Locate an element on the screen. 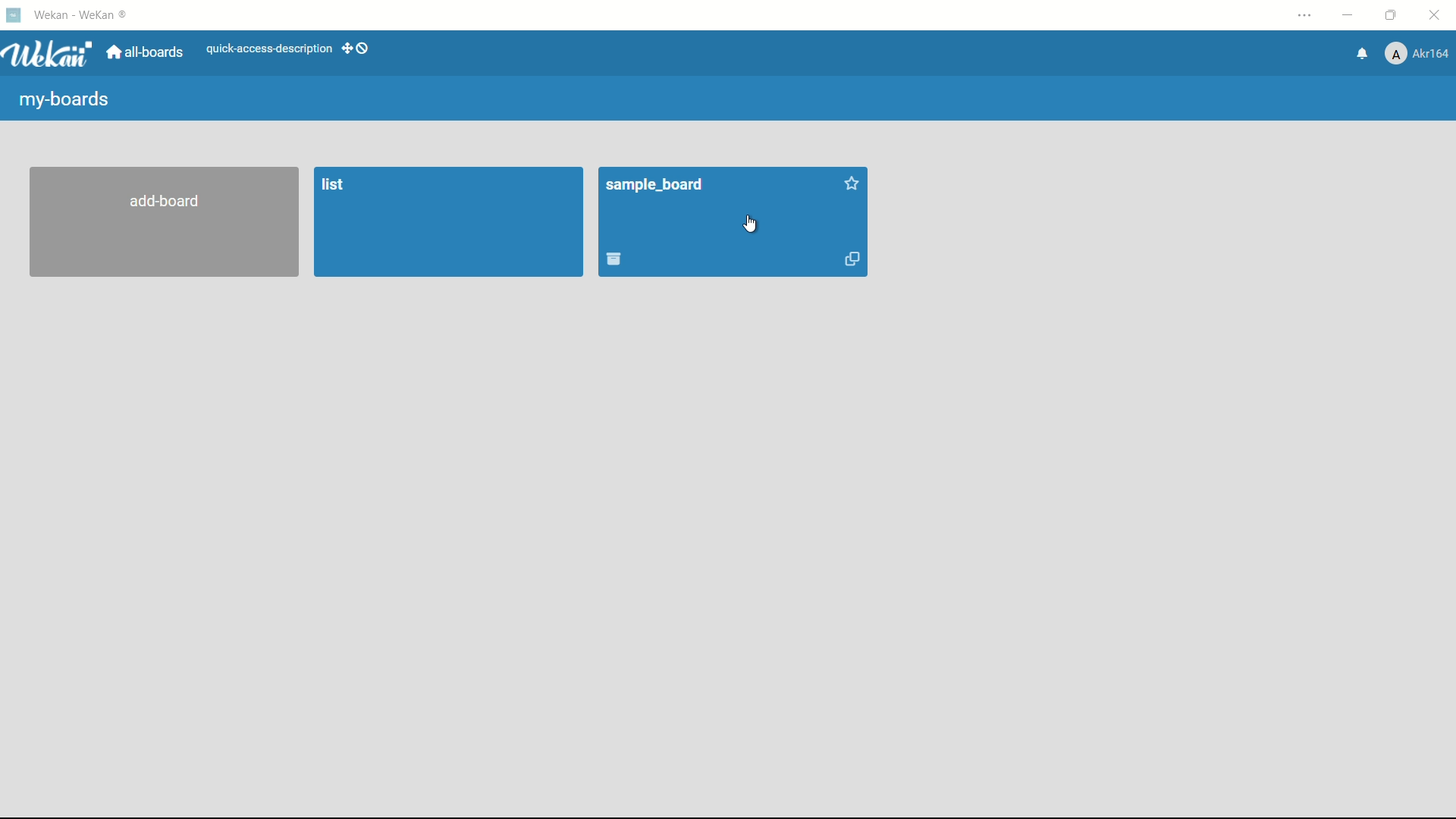  Wekan - weaken is located at coordinates (81, 13).